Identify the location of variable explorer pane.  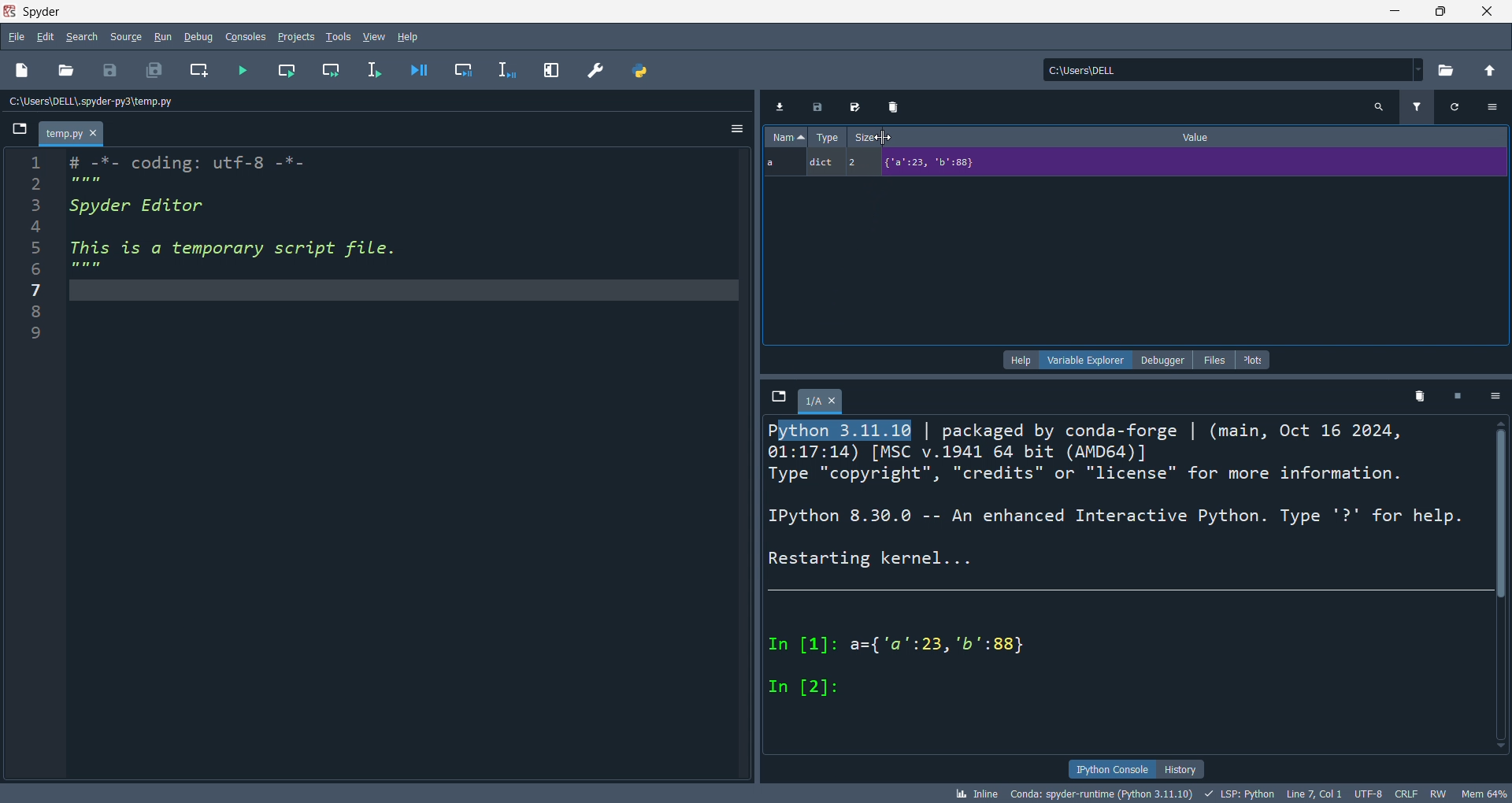
(1138, 261).